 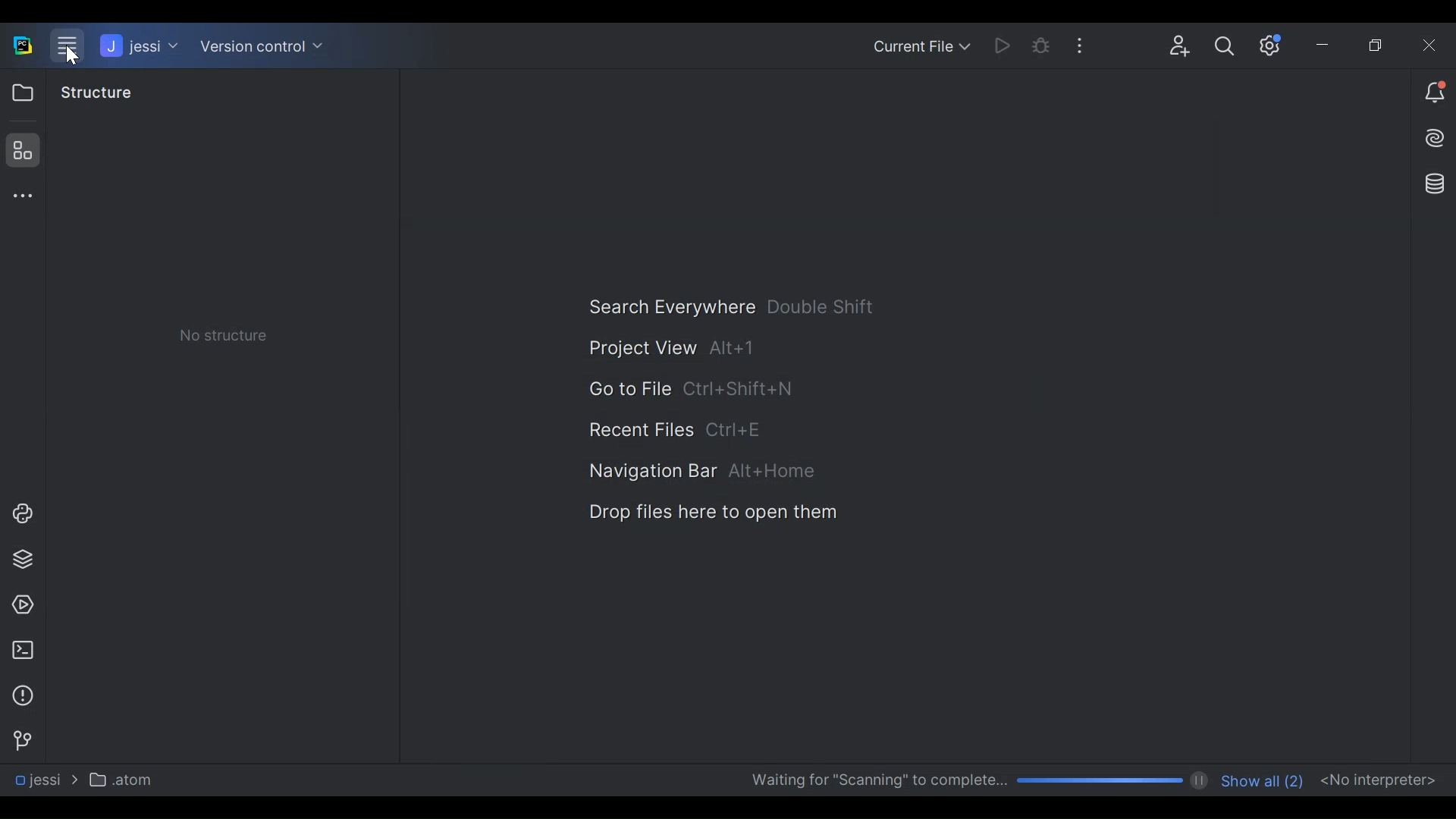 I want to click on Project View, so click(x=22, y=93).